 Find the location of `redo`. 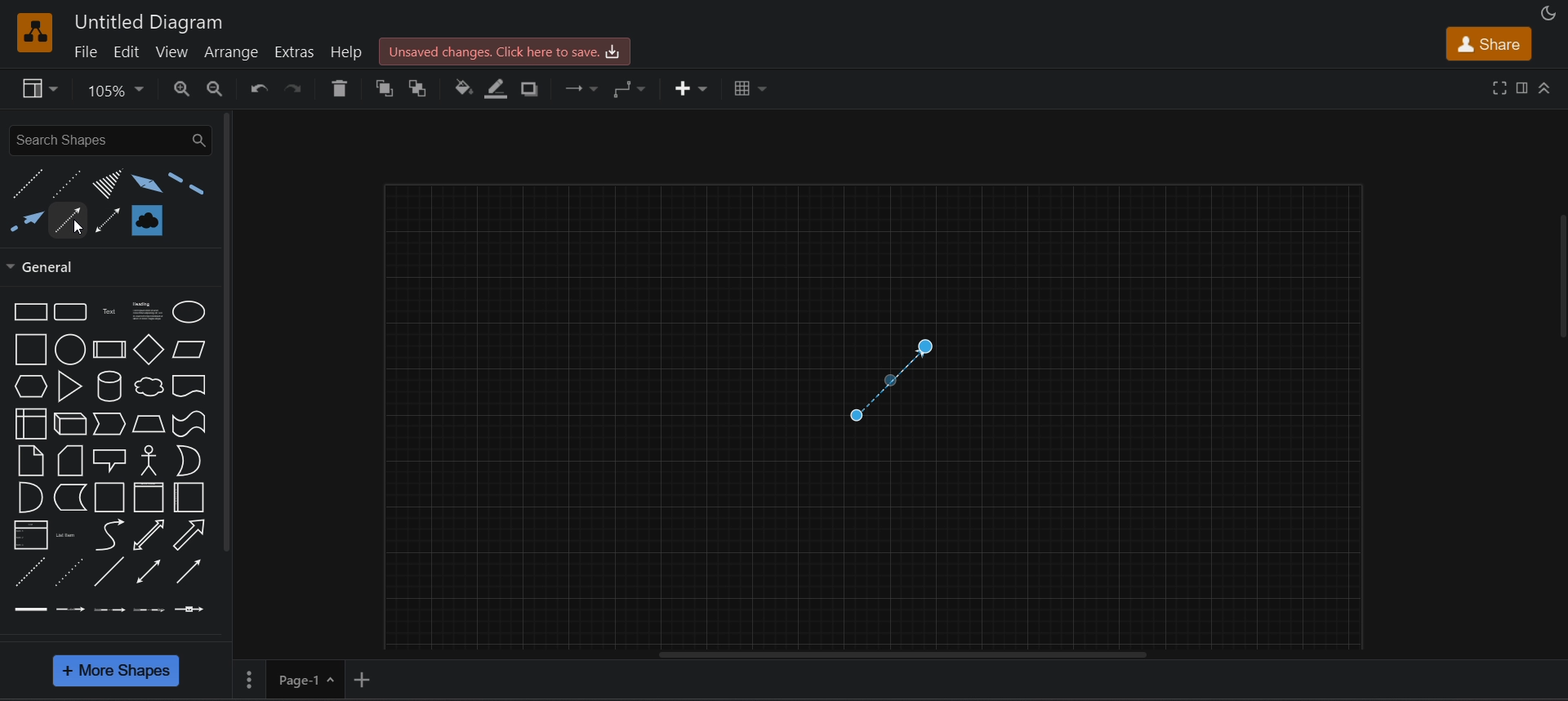

redo is located at coordinates (296, 92).